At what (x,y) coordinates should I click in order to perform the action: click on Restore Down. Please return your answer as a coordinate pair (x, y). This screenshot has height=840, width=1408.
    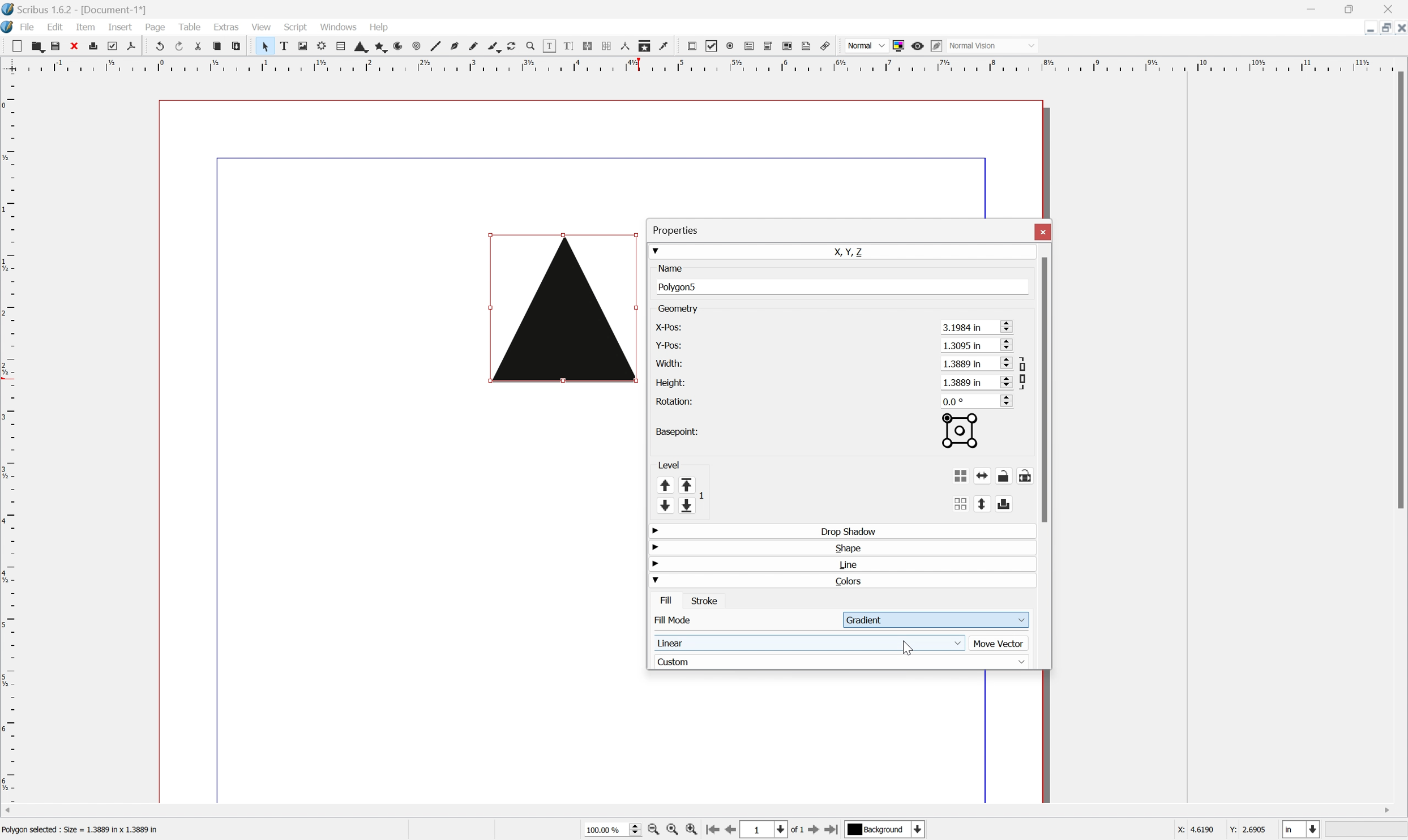
    Looking at the image, I should click on (1354, 8).